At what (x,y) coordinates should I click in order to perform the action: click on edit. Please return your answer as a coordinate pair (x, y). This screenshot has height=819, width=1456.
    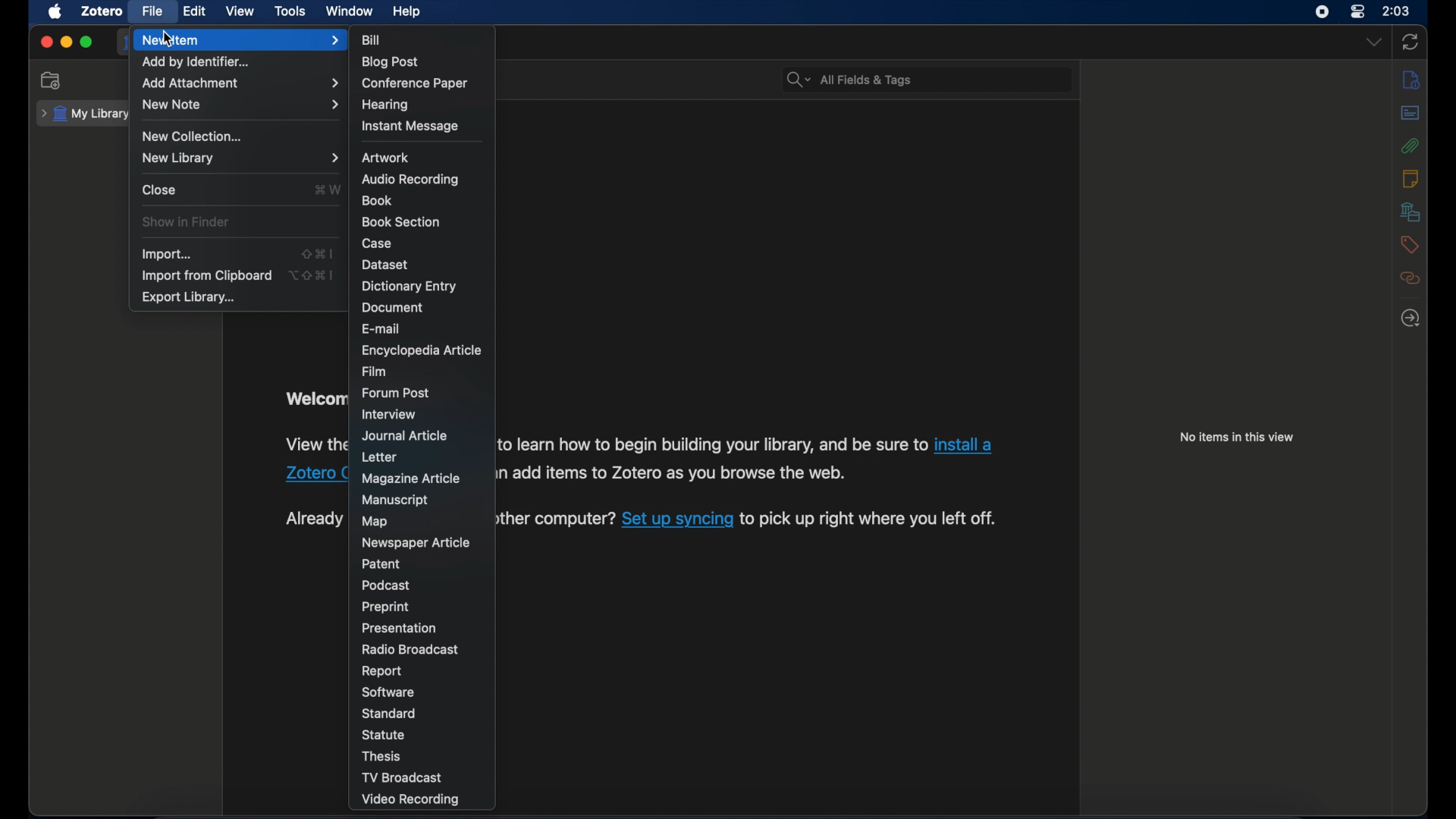
    Looking at the image, I should click on (194, 12).